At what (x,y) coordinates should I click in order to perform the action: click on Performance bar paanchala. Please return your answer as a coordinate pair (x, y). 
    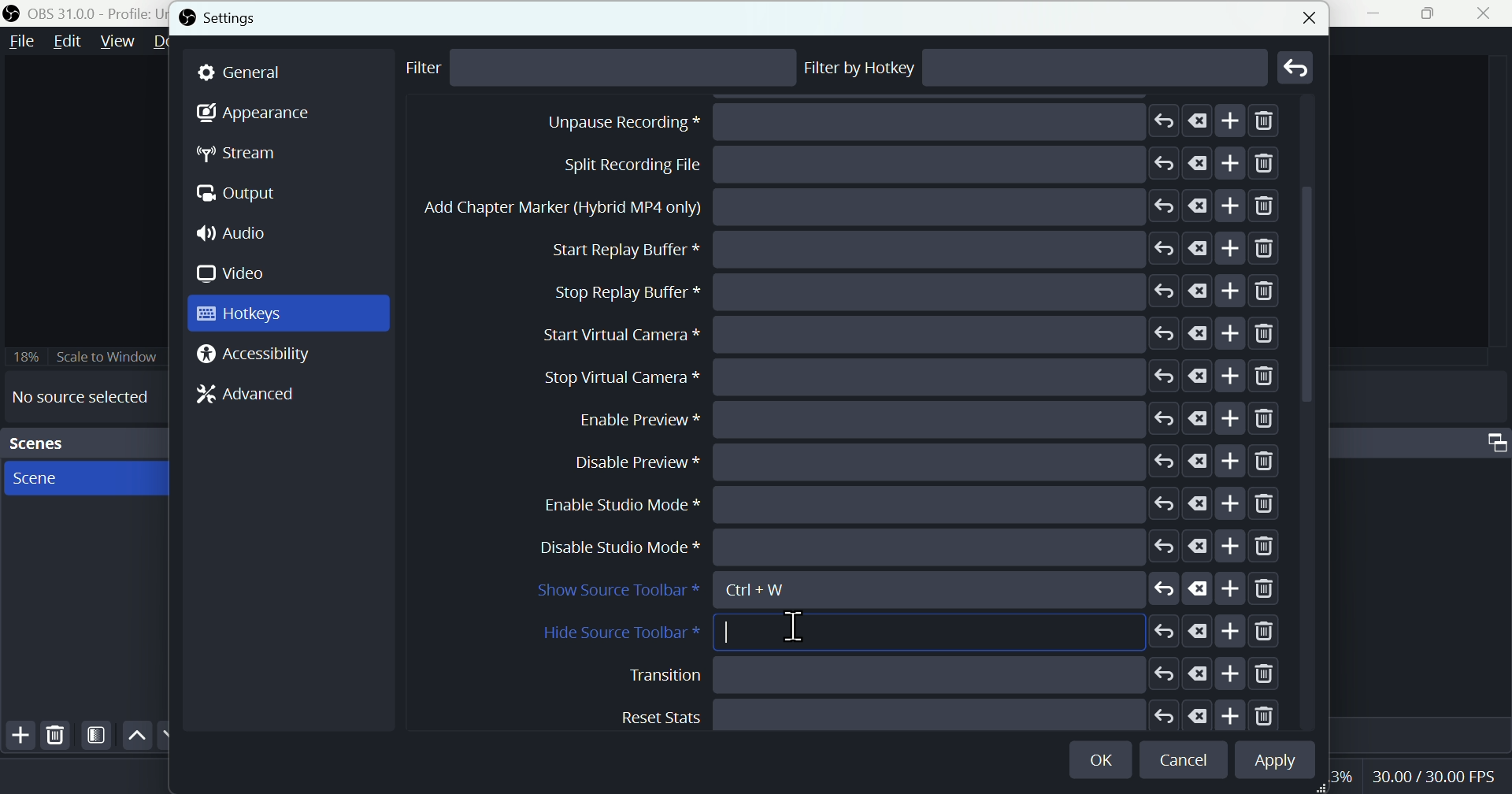
    Looking at the image, I should click on (1436, 779).